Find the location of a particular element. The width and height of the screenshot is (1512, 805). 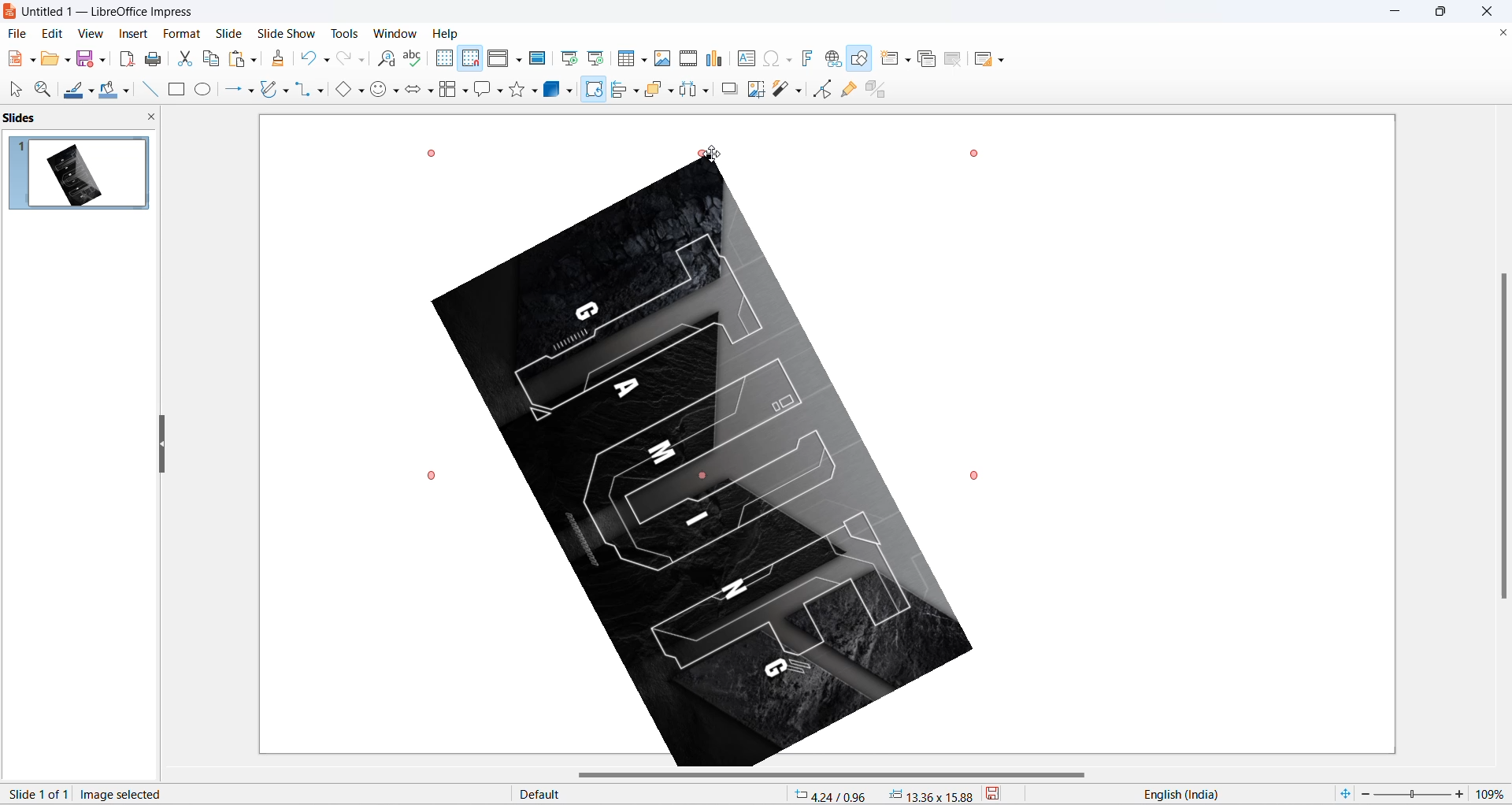

new file is located at coordinates (15, 59).